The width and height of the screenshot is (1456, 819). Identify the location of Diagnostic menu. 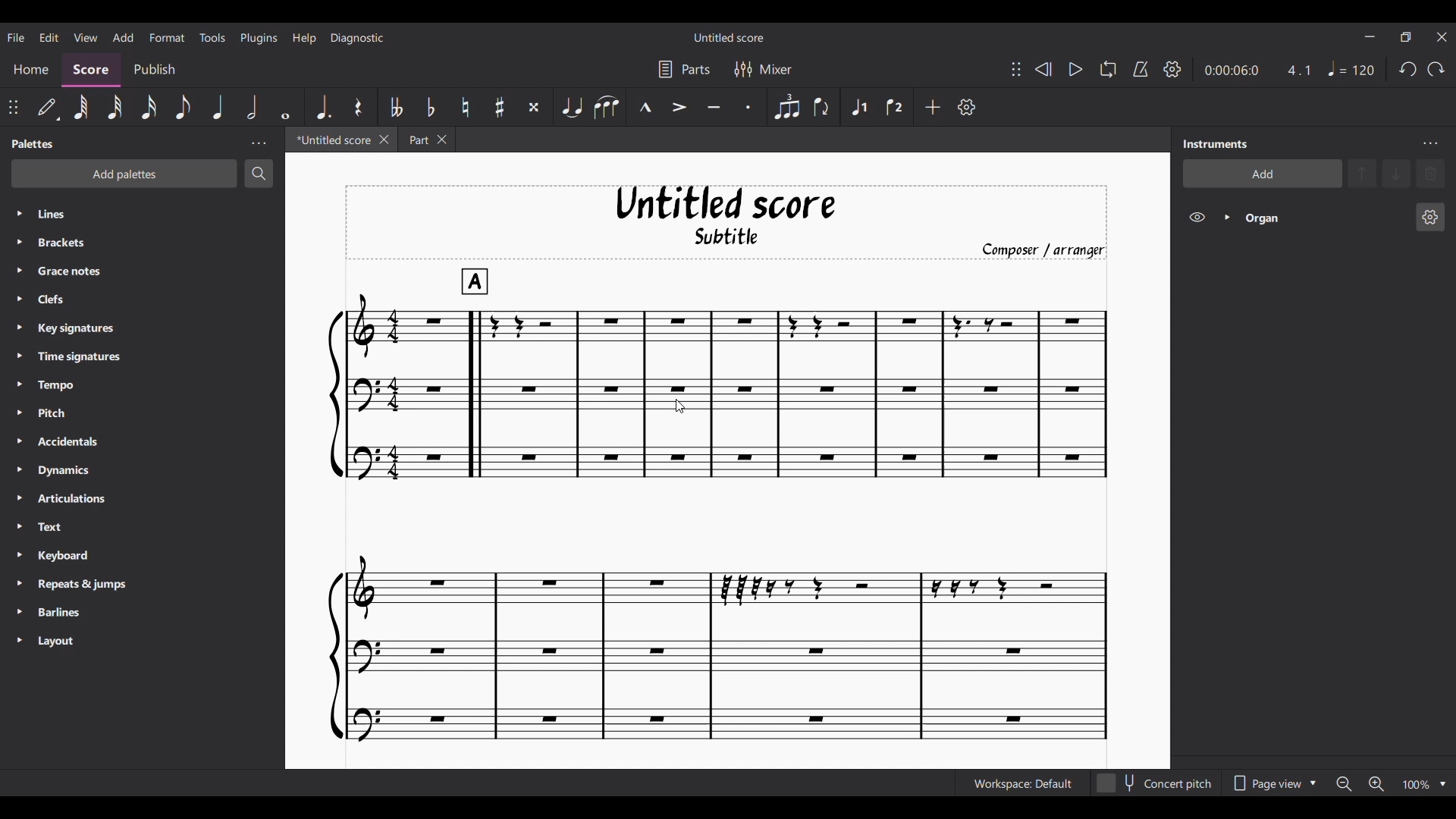
(357, 38).